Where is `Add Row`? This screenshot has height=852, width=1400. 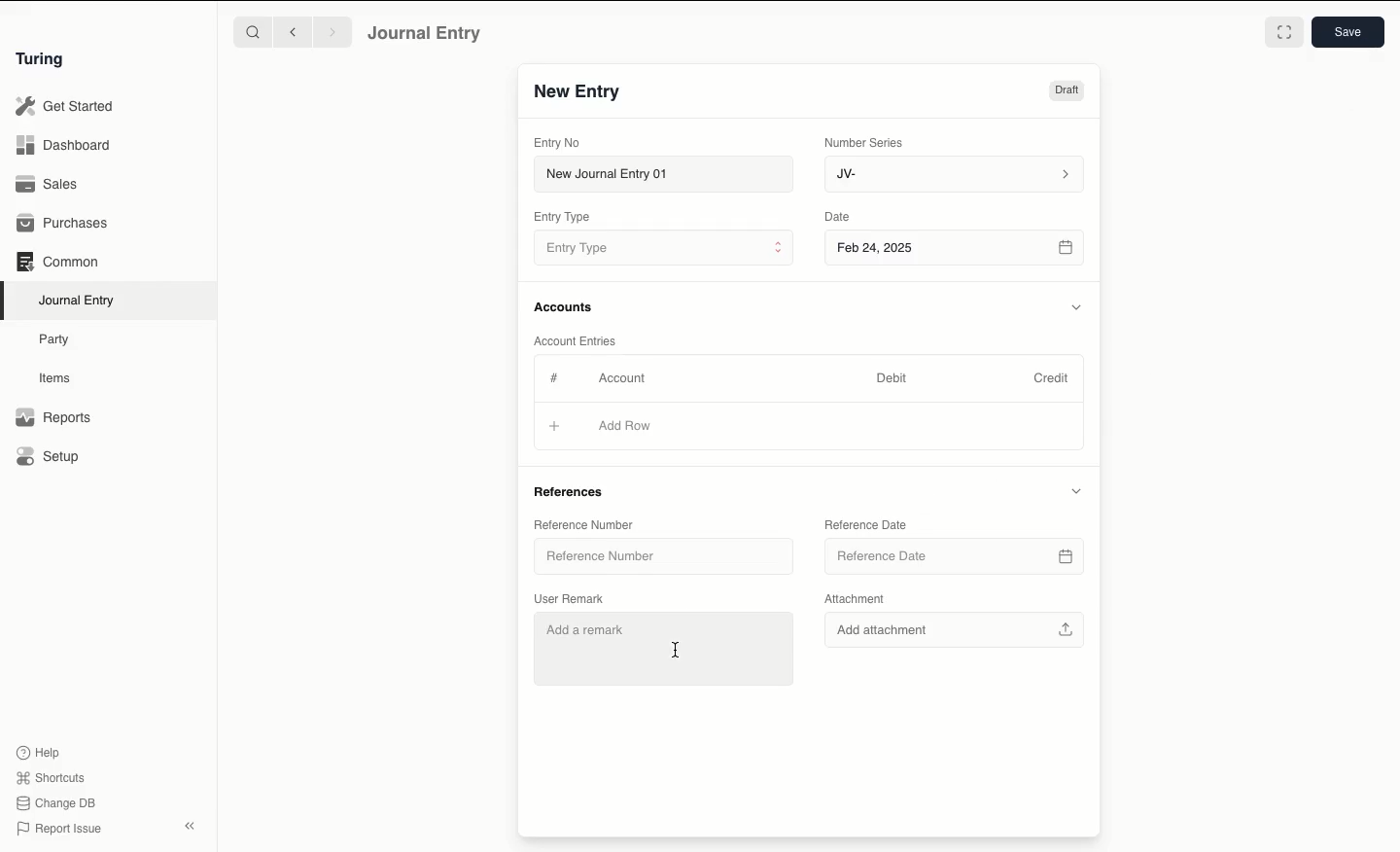 Add Row is located at coordinates (626, 427).